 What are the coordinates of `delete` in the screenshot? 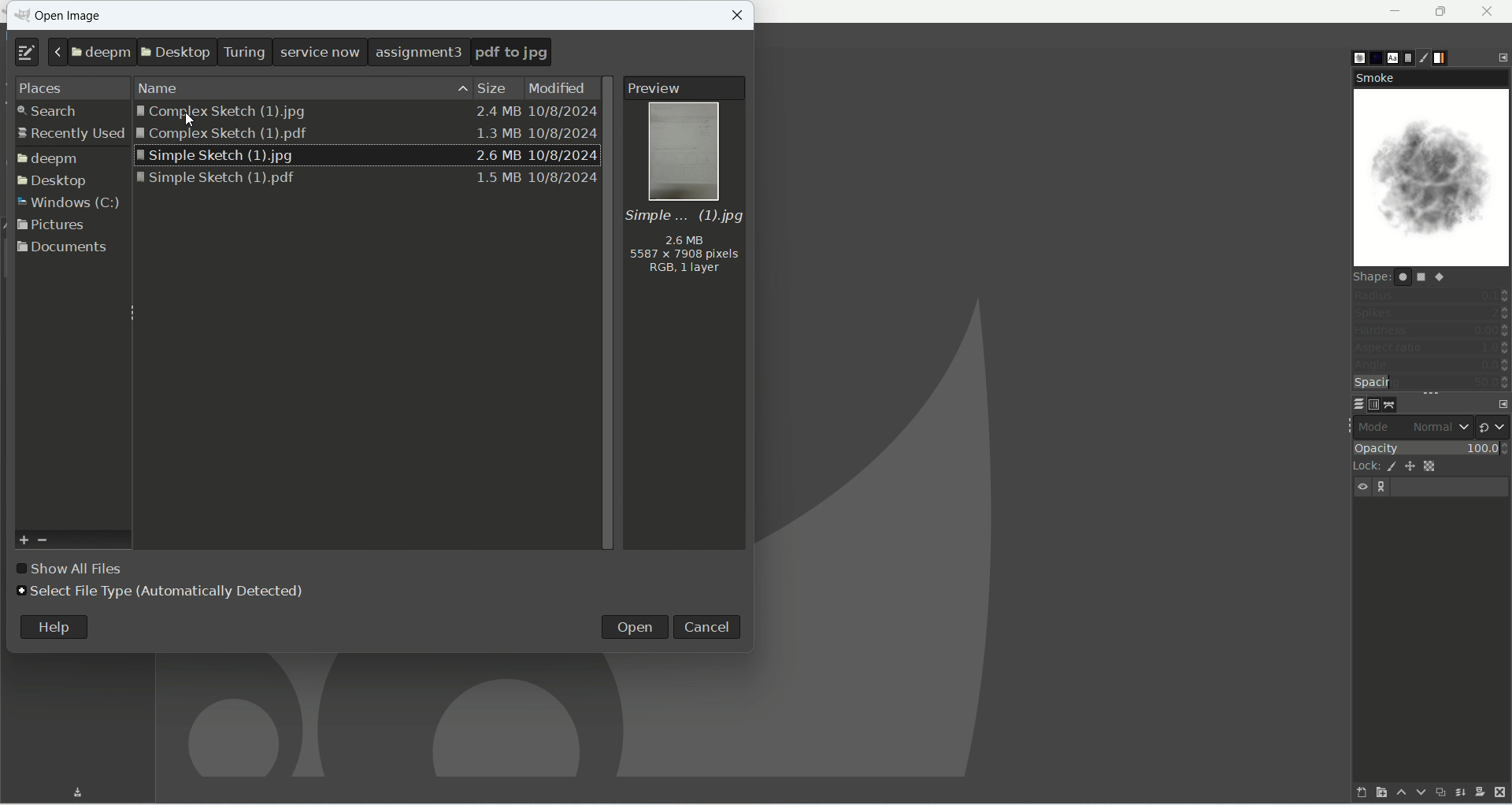 It's located at (1499, 792).